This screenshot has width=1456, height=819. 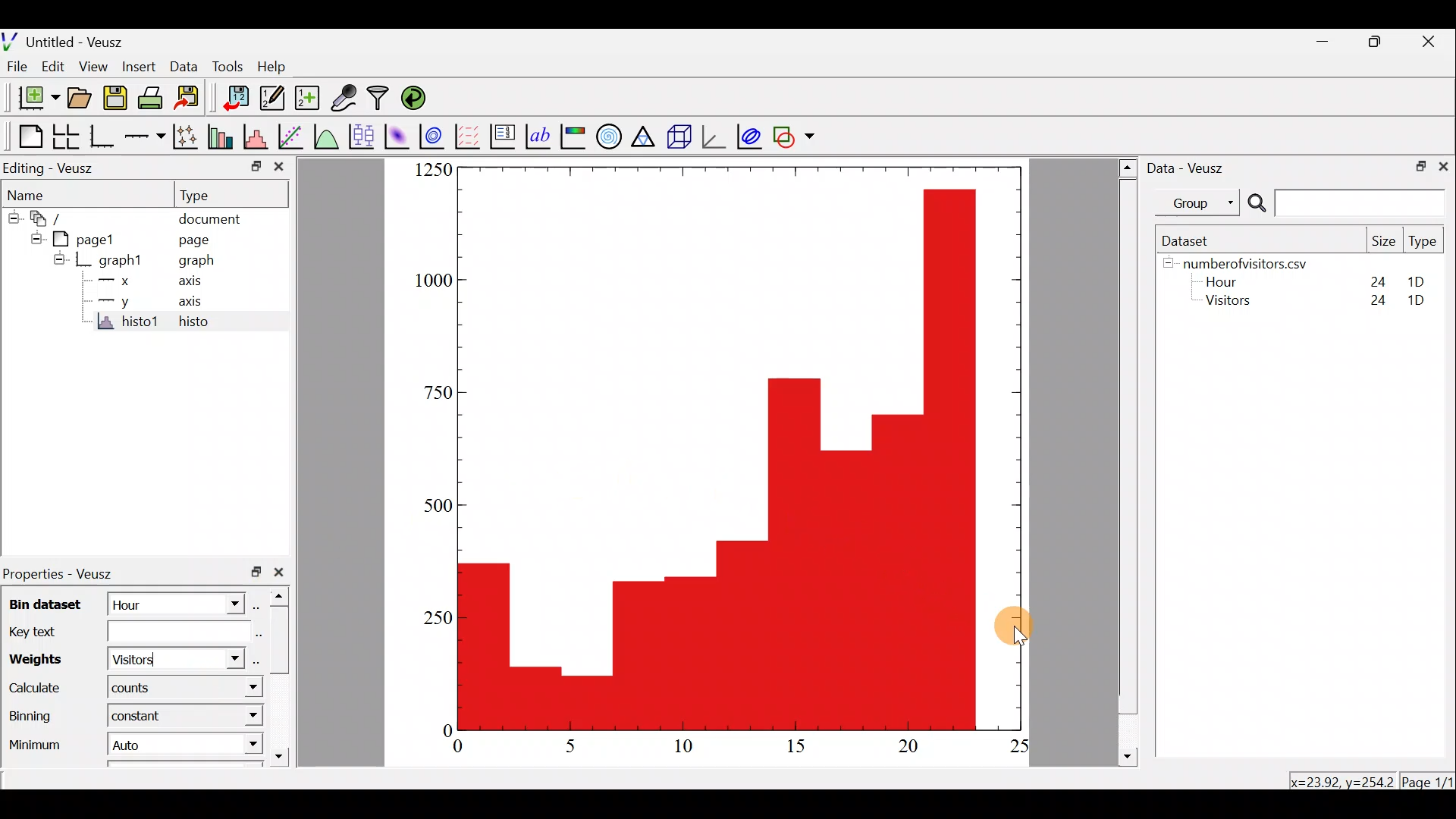 I want to click on 15, so click(x=802, y=747).